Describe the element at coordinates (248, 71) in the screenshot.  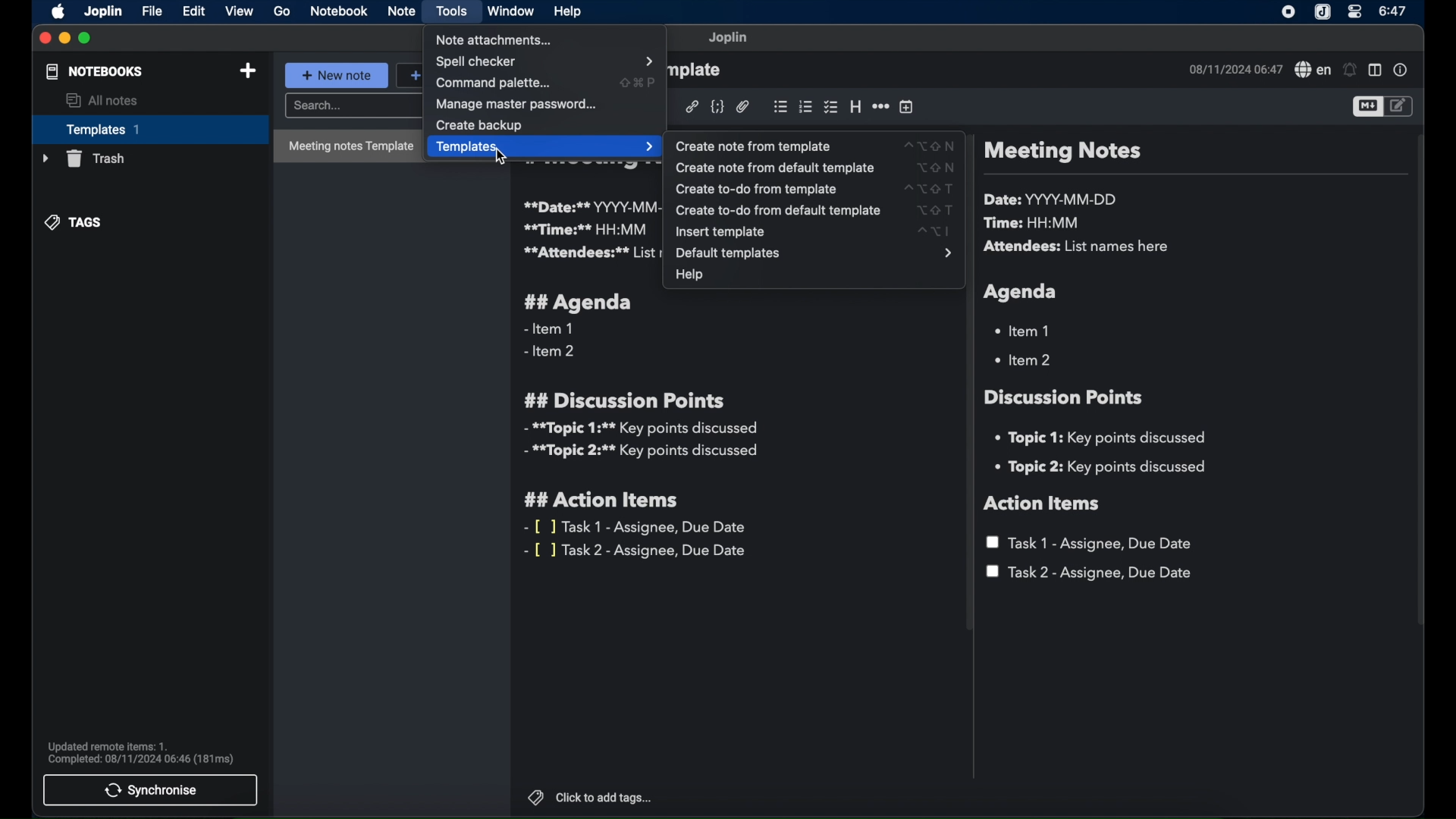
I see `add note` at that location.